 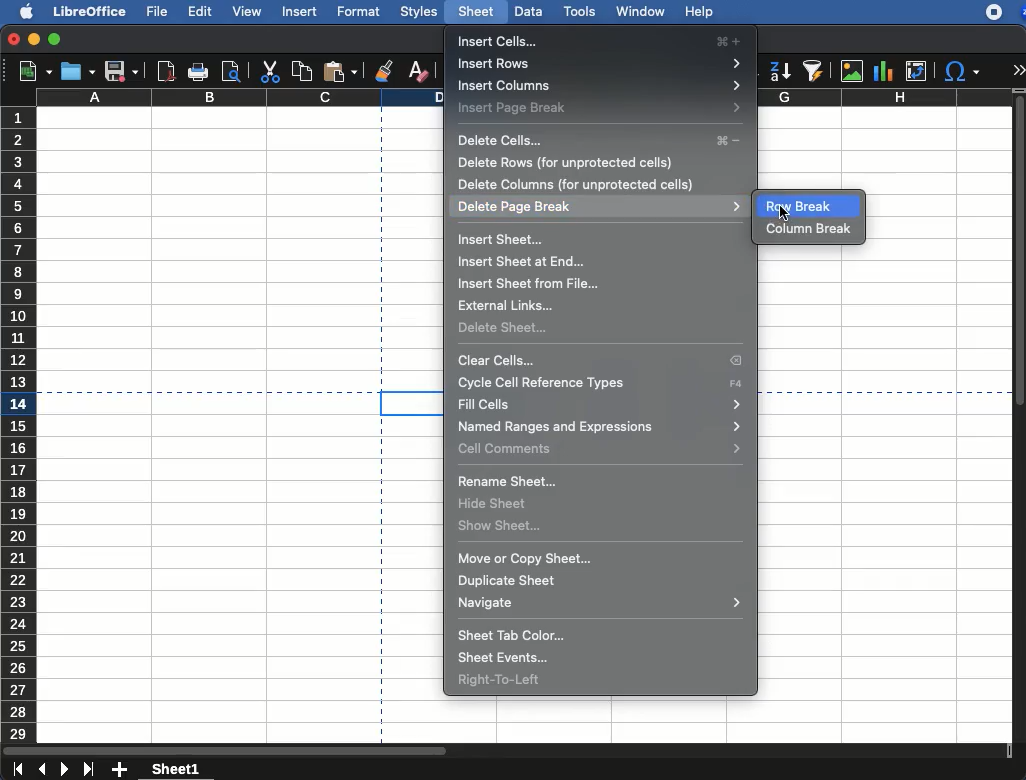 What do you see at coordinates (78, 70) in the screenshot?
I see `open` at bounding box center [78, 70].